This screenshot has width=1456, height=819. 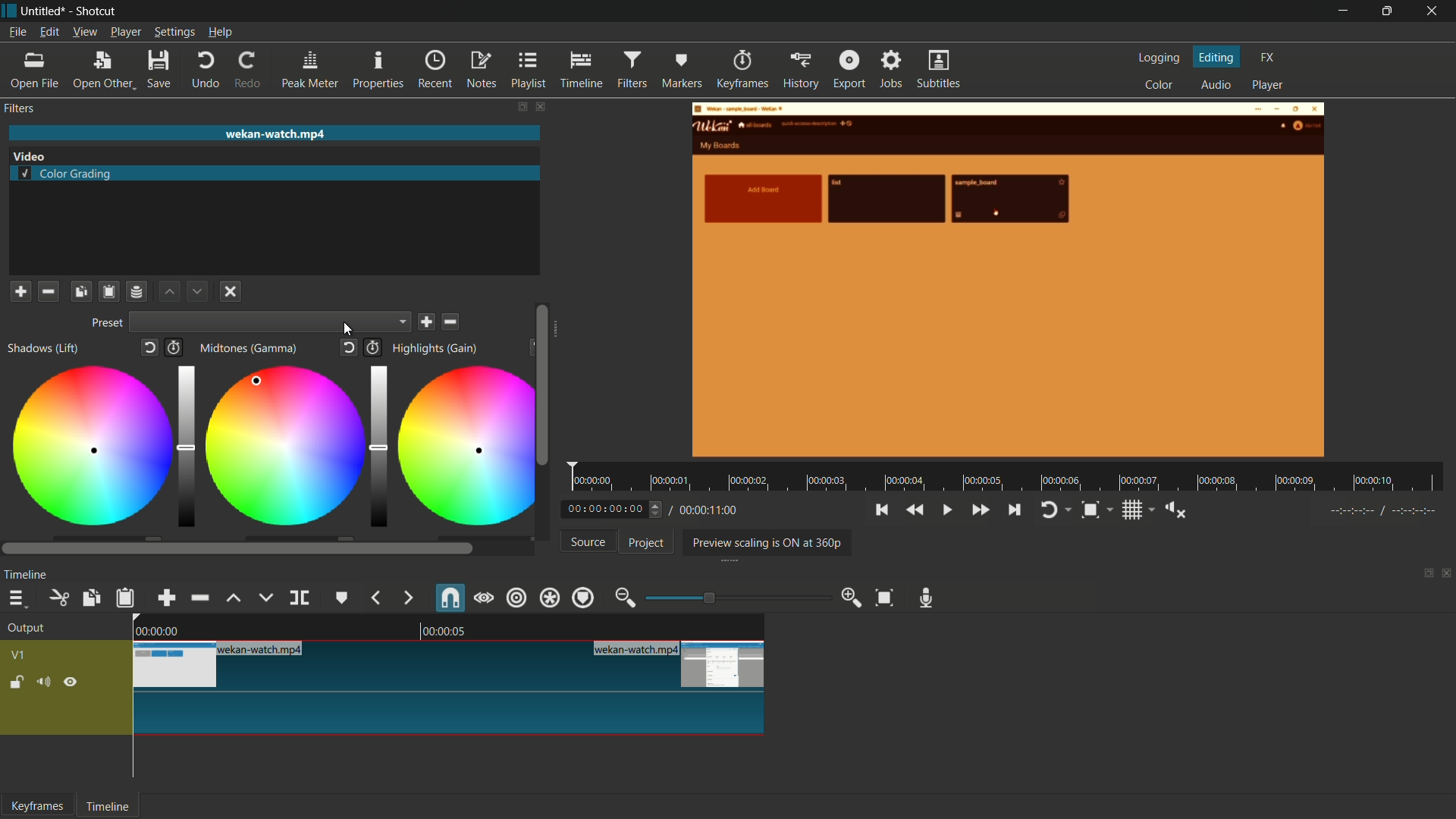 What do you see at coordinates (259, 379) in the screenshot?
I see `cursor` at bounding box center [259, 379].